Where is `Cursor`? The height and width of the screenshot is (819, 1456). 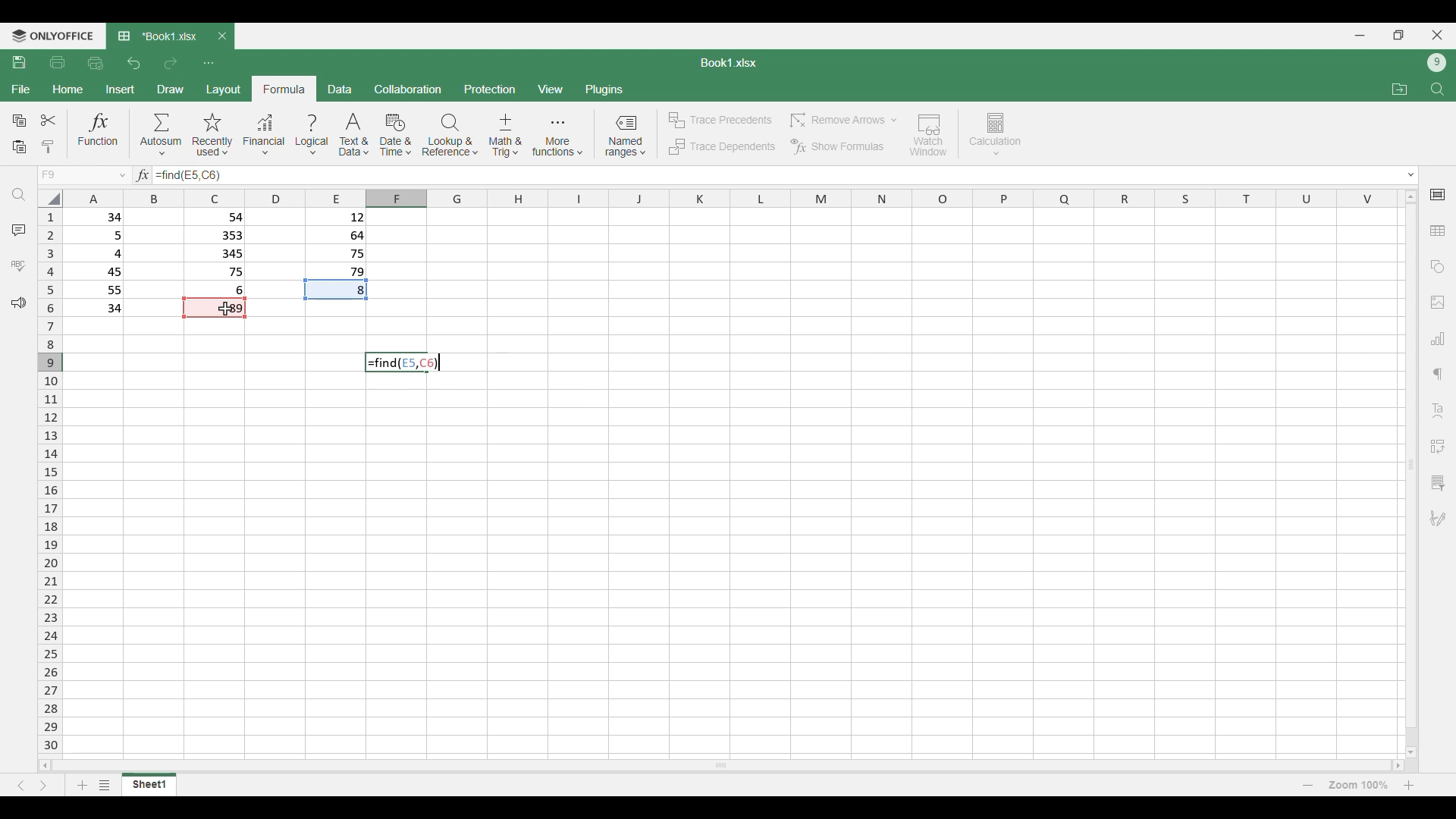 Cursor is located at coordinates (224, 309).